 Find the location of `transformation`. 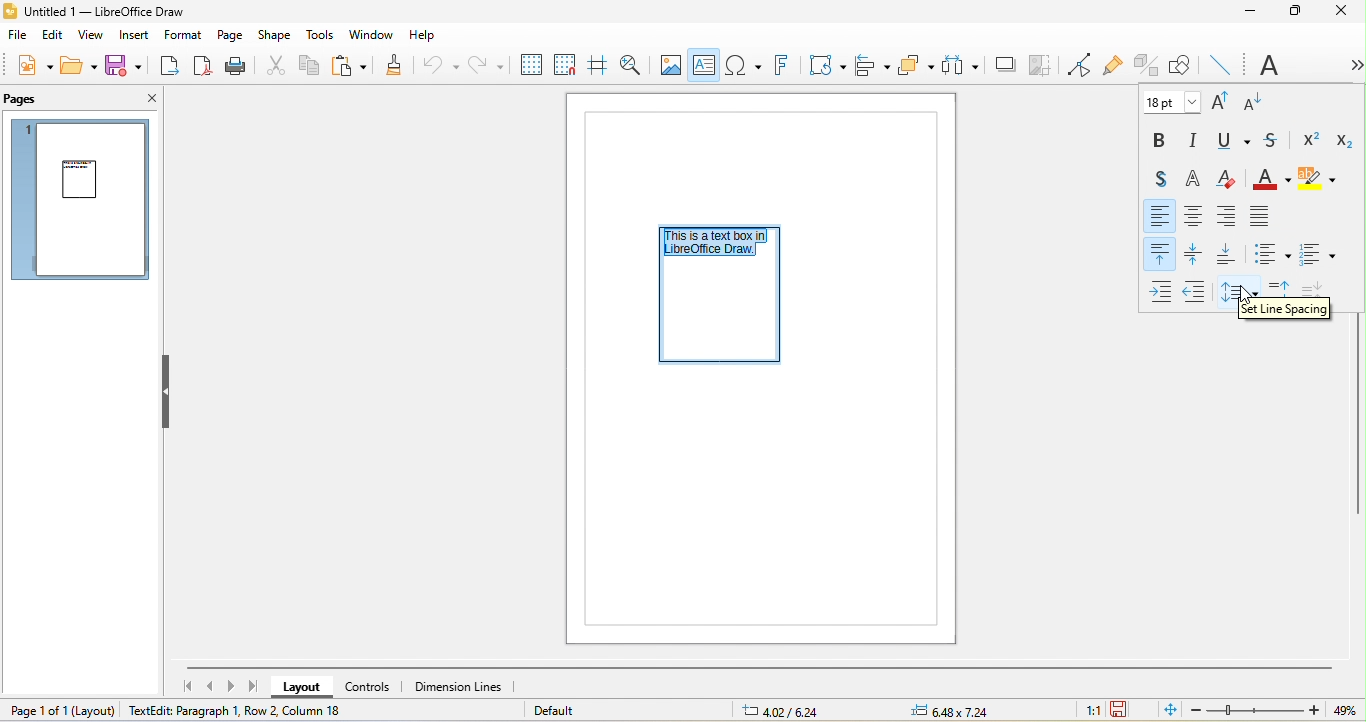

transformation is located at coordinates (822, 67).